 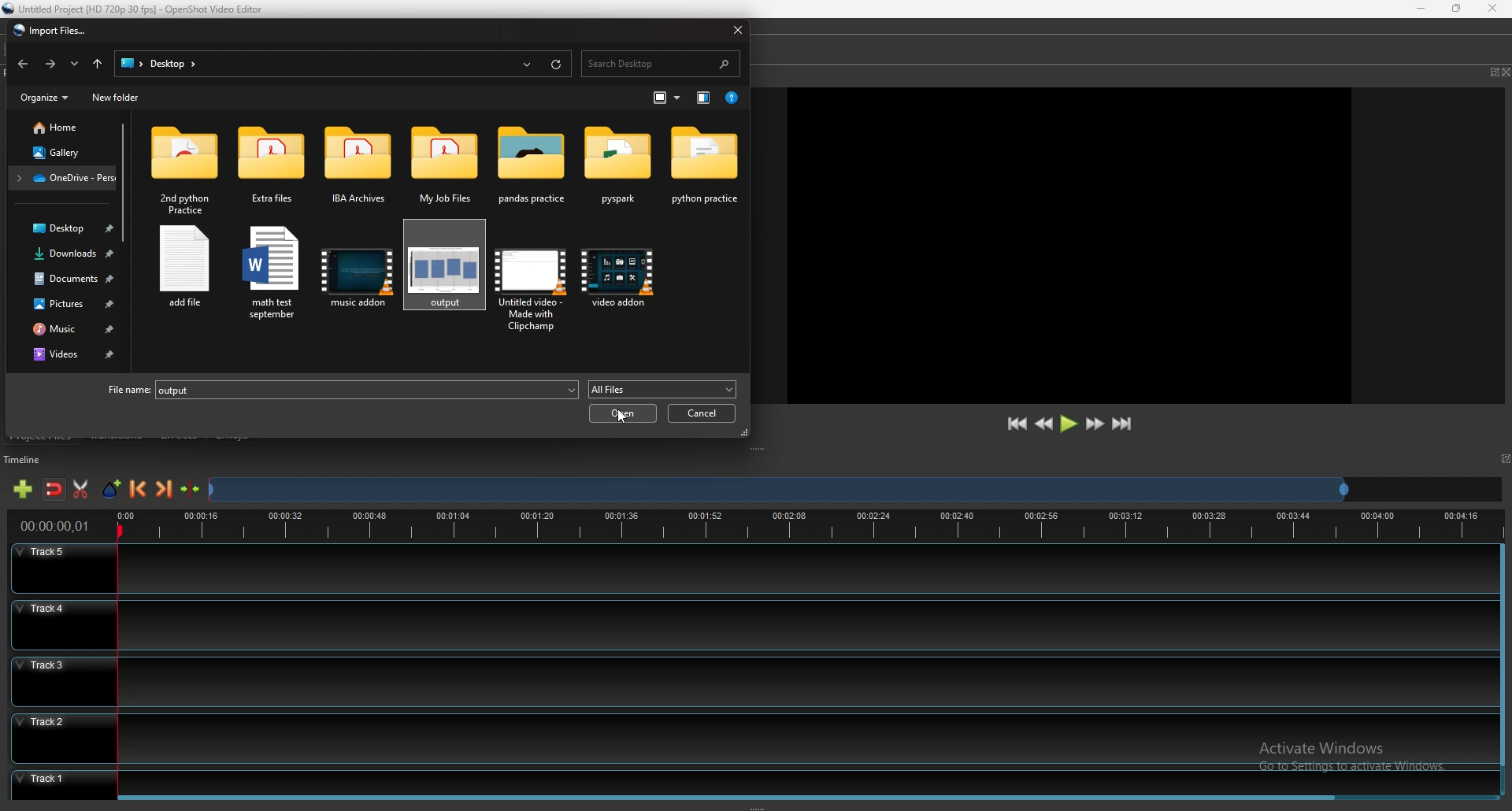 I want to click on effects, so click(x=180, y=435).